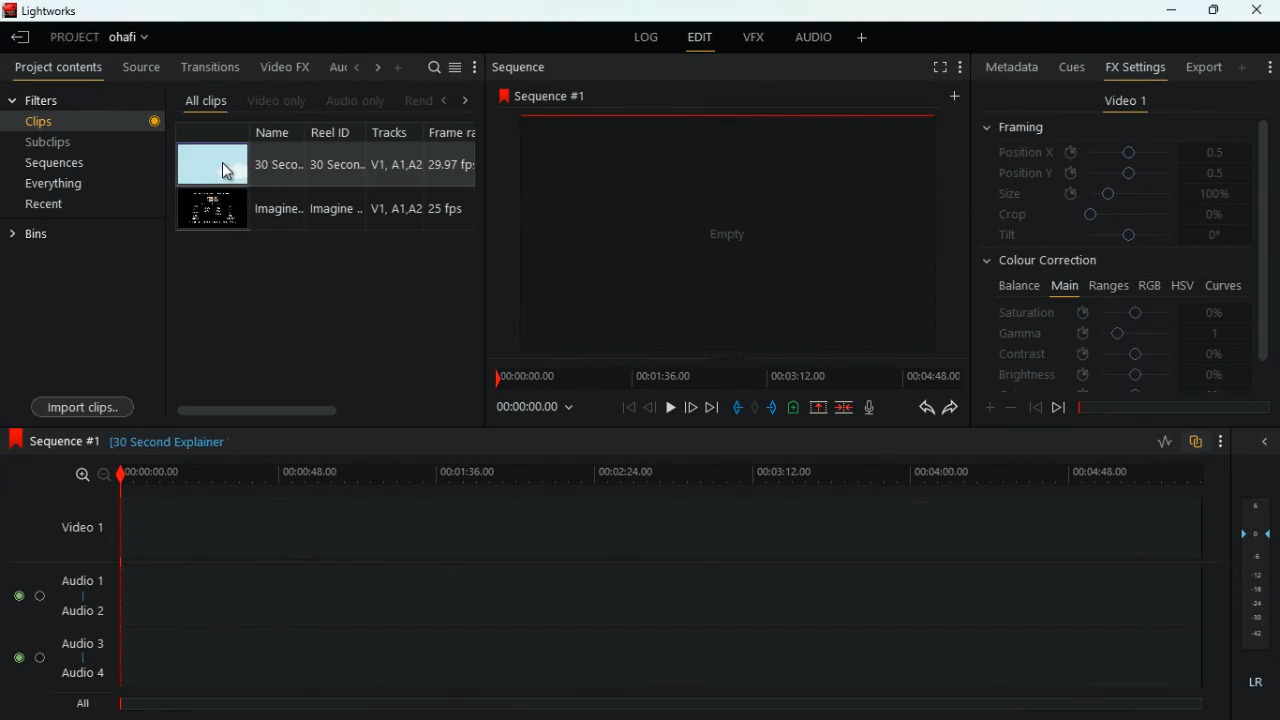 The width and height of the screenshot is (1280, 720). What do you see at coordinates (1243, 67) in the screenshot?
I see `more` at bounding box center [1243, 67].